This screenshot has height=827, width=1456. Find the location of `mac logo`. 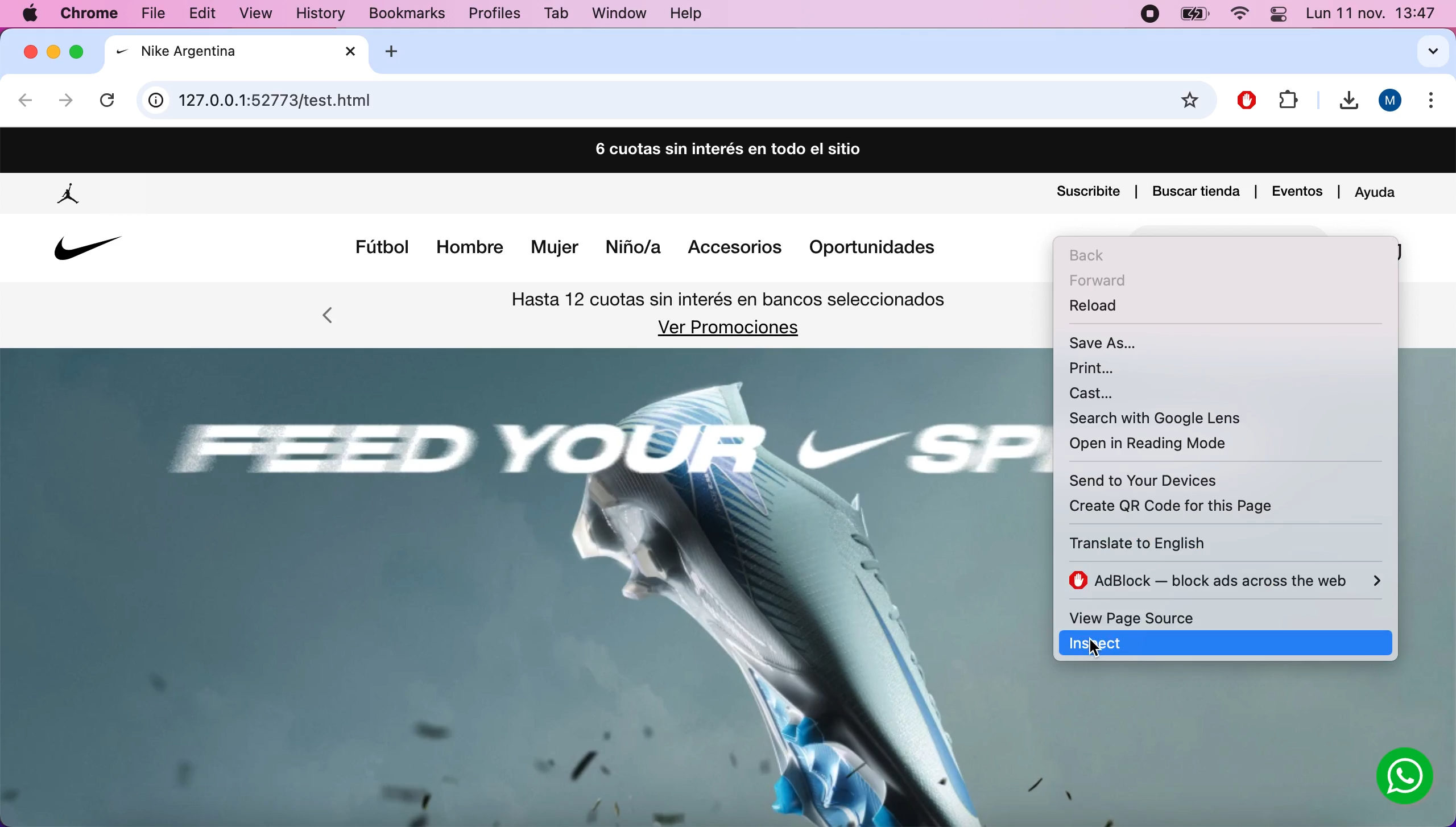

mac logo is located at coordinates (31, 15).